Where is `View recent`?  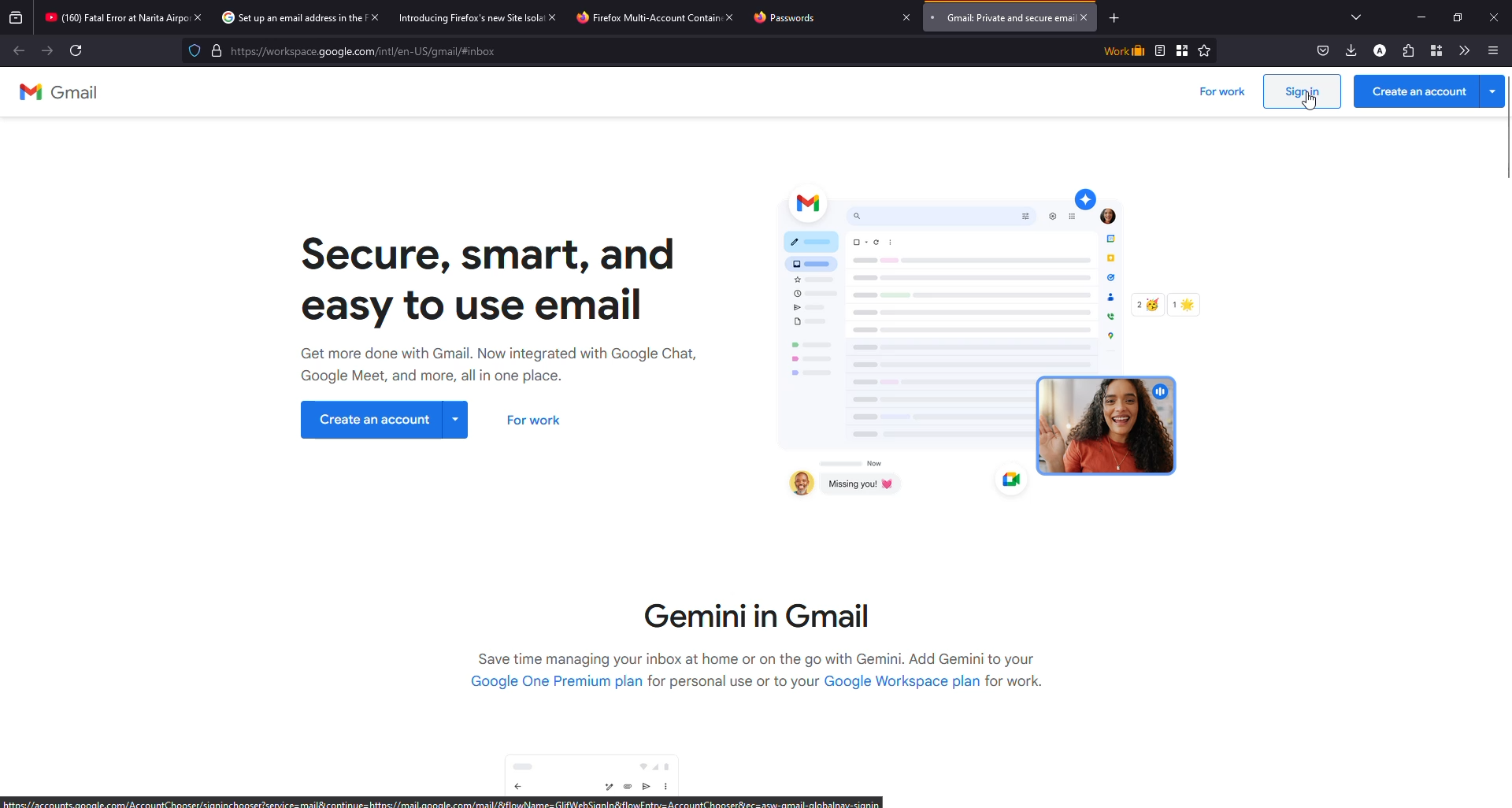
View recent is located at coordinates (15, 16).